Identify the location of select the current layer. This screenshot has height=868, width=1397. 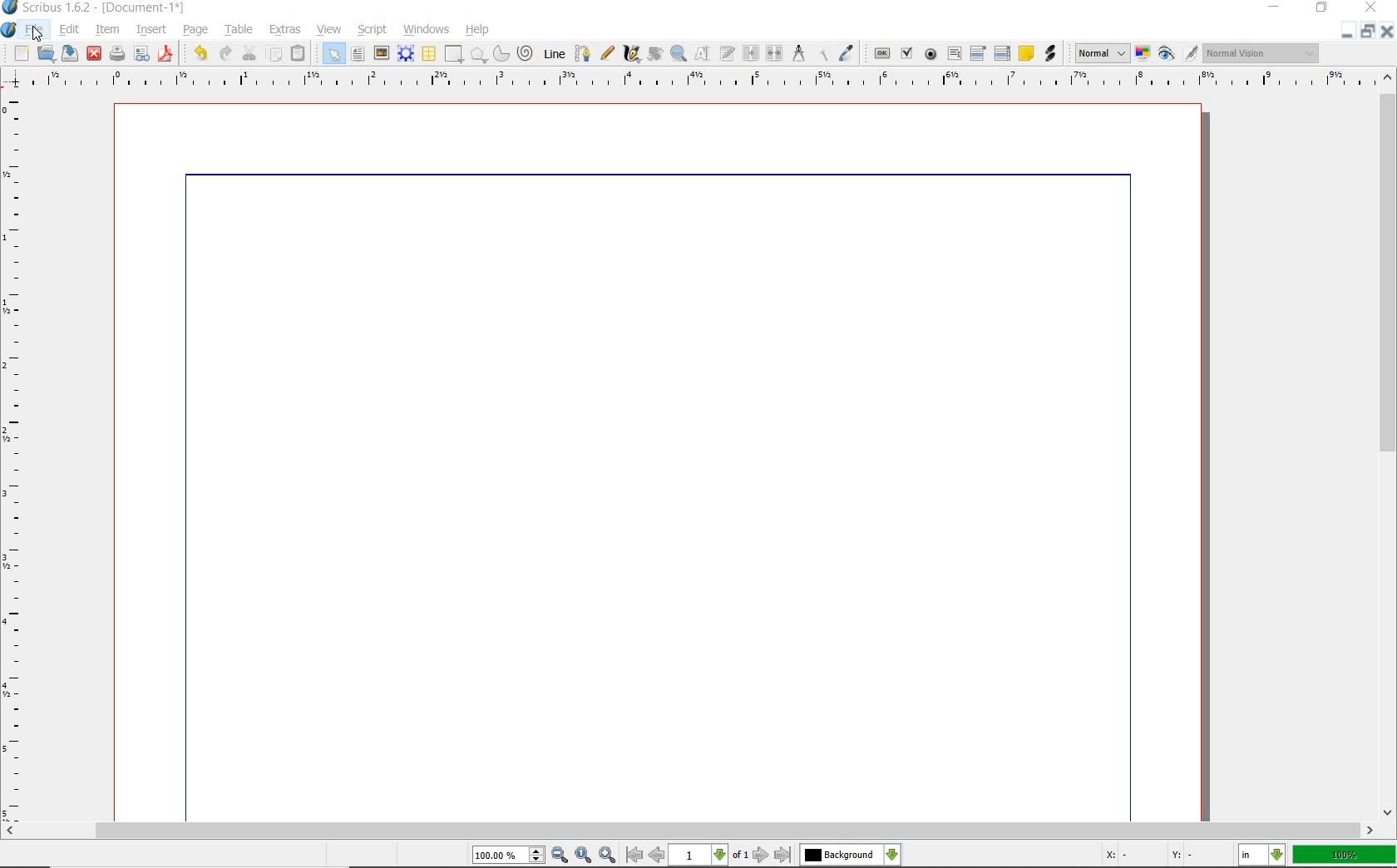
(851, 855).